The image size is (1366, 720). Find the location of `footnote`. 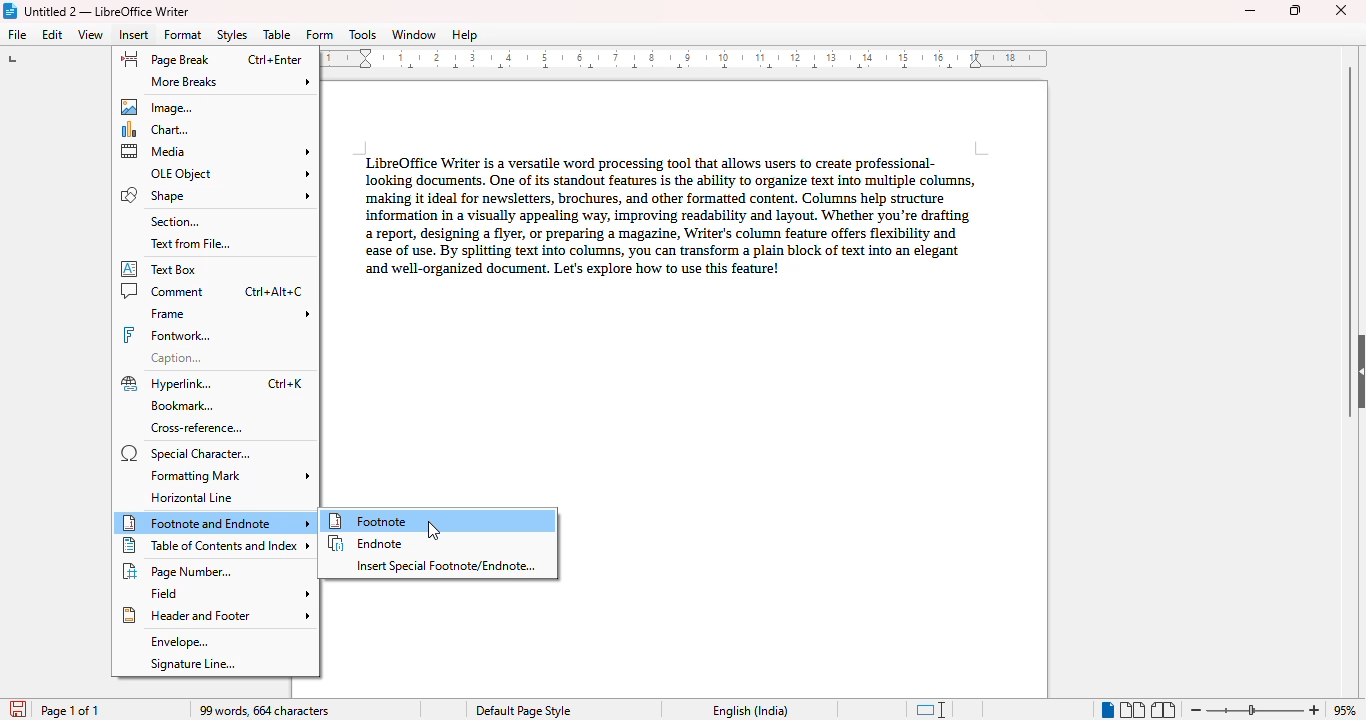

footnote is located at coordinates (440, 520).